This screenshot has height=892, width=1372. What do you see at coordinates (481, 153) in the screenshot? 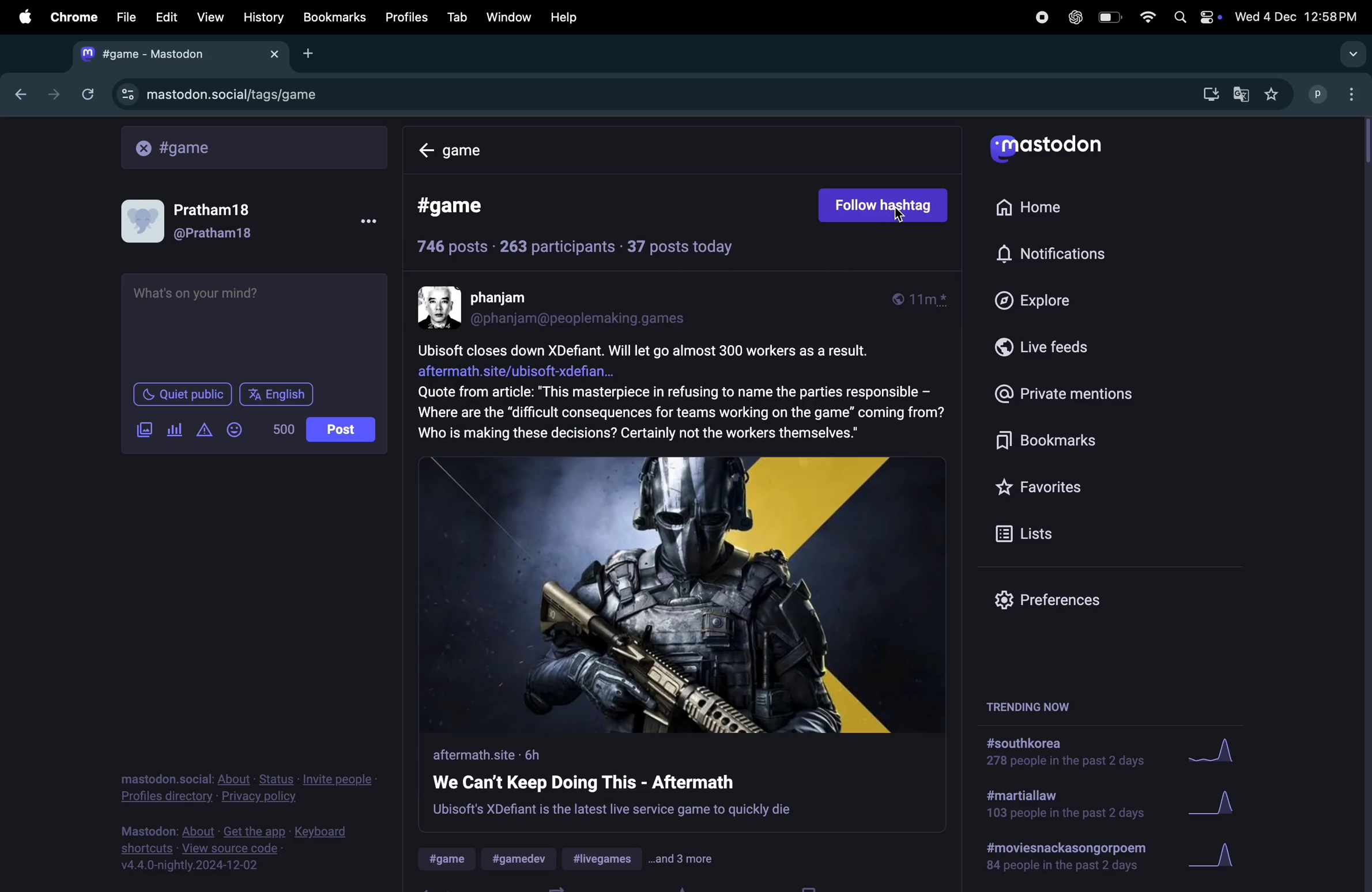
I see `game` at bounding box center [481, 153].